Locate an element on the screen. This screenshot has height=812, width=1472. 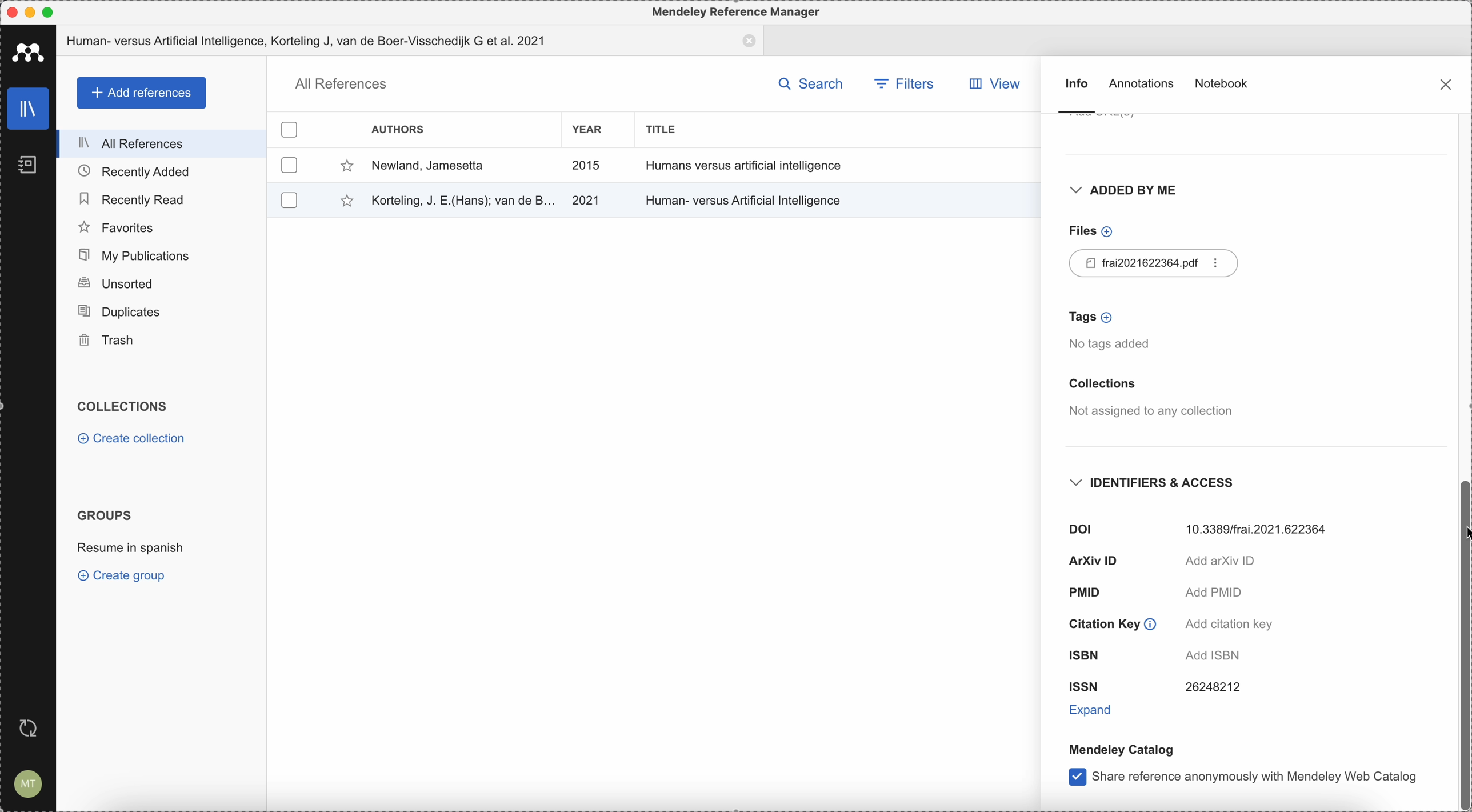
checkbox is located at coordinates (287, 199).